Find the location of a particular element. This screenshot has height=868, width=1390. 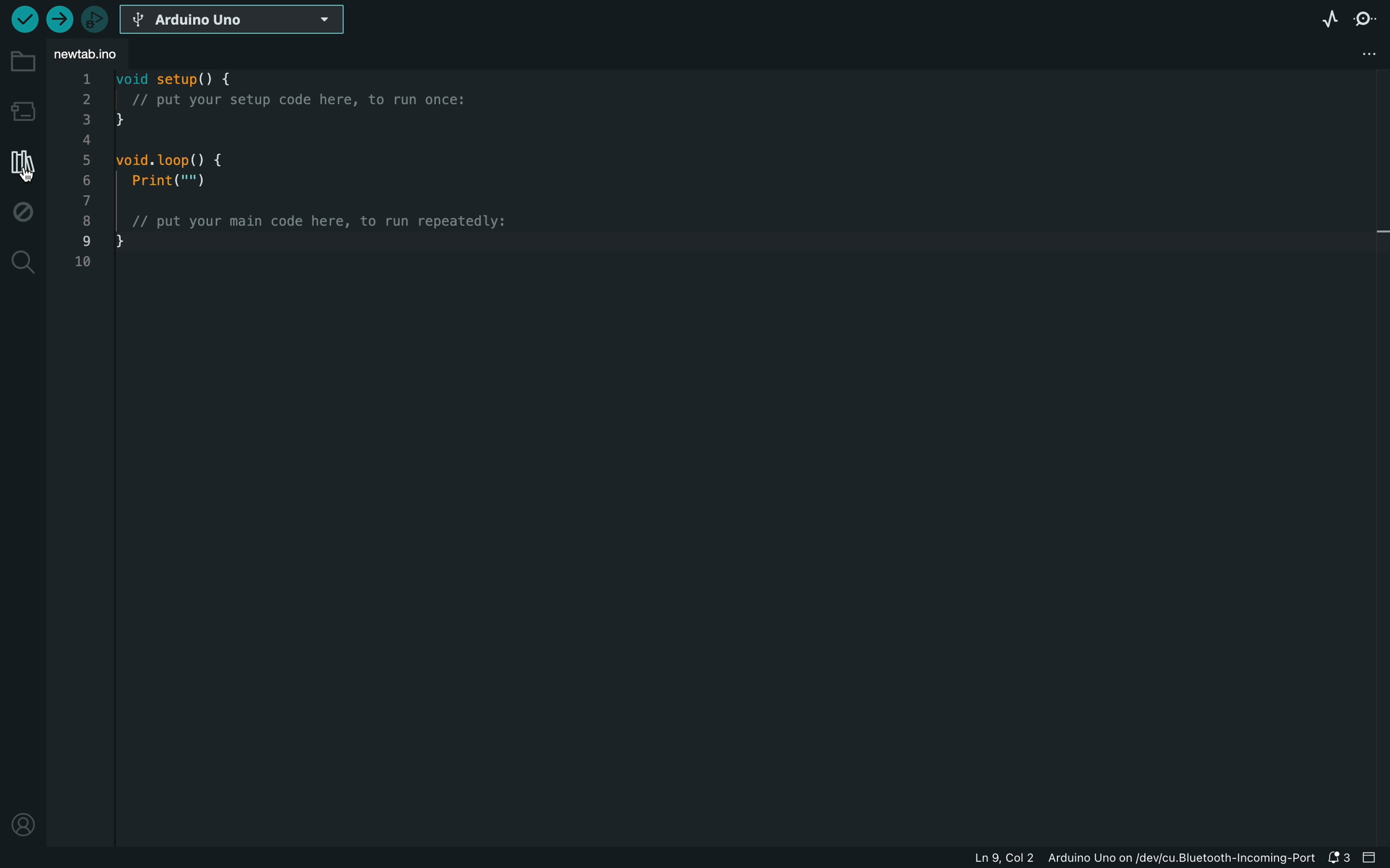

file information is located at coordinates (1125, 858).